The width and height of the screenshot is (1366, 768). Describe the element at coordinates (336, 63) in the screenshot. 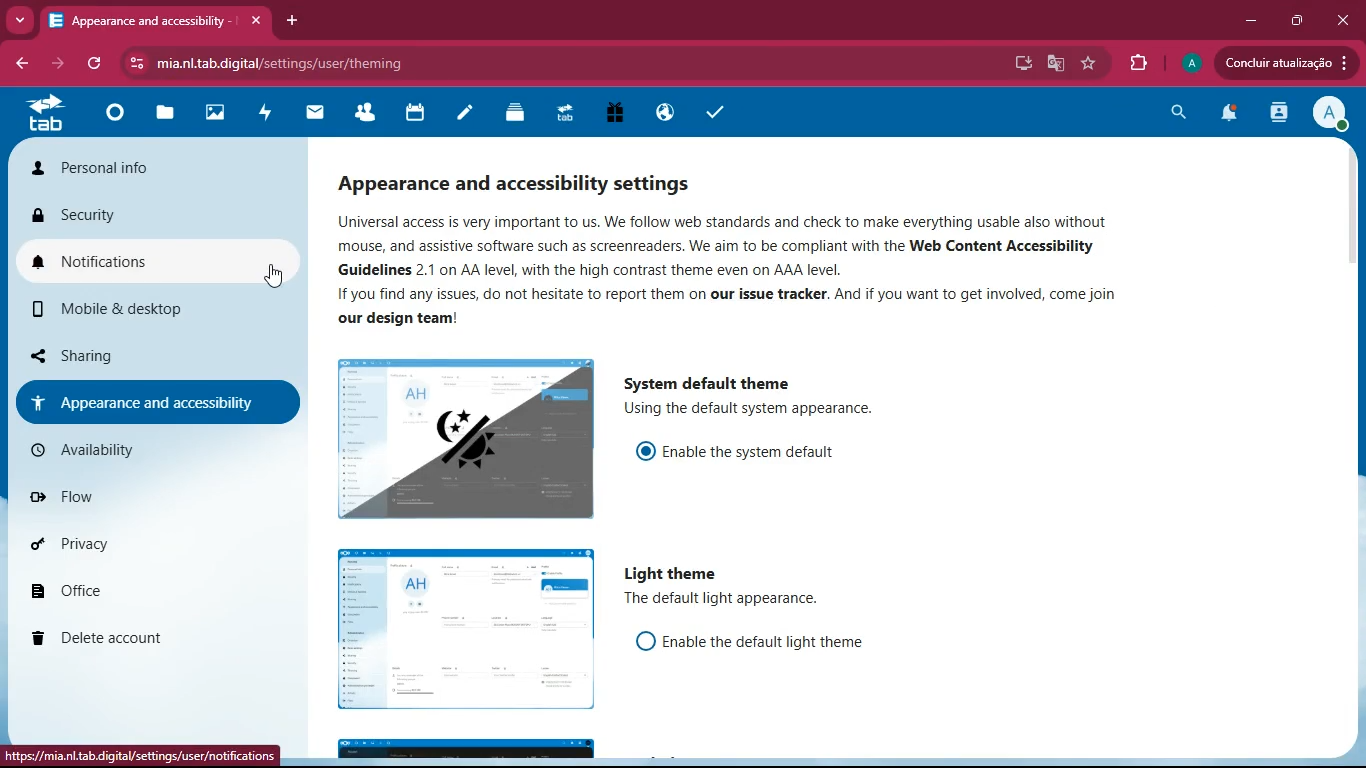

I see `url` at that location.